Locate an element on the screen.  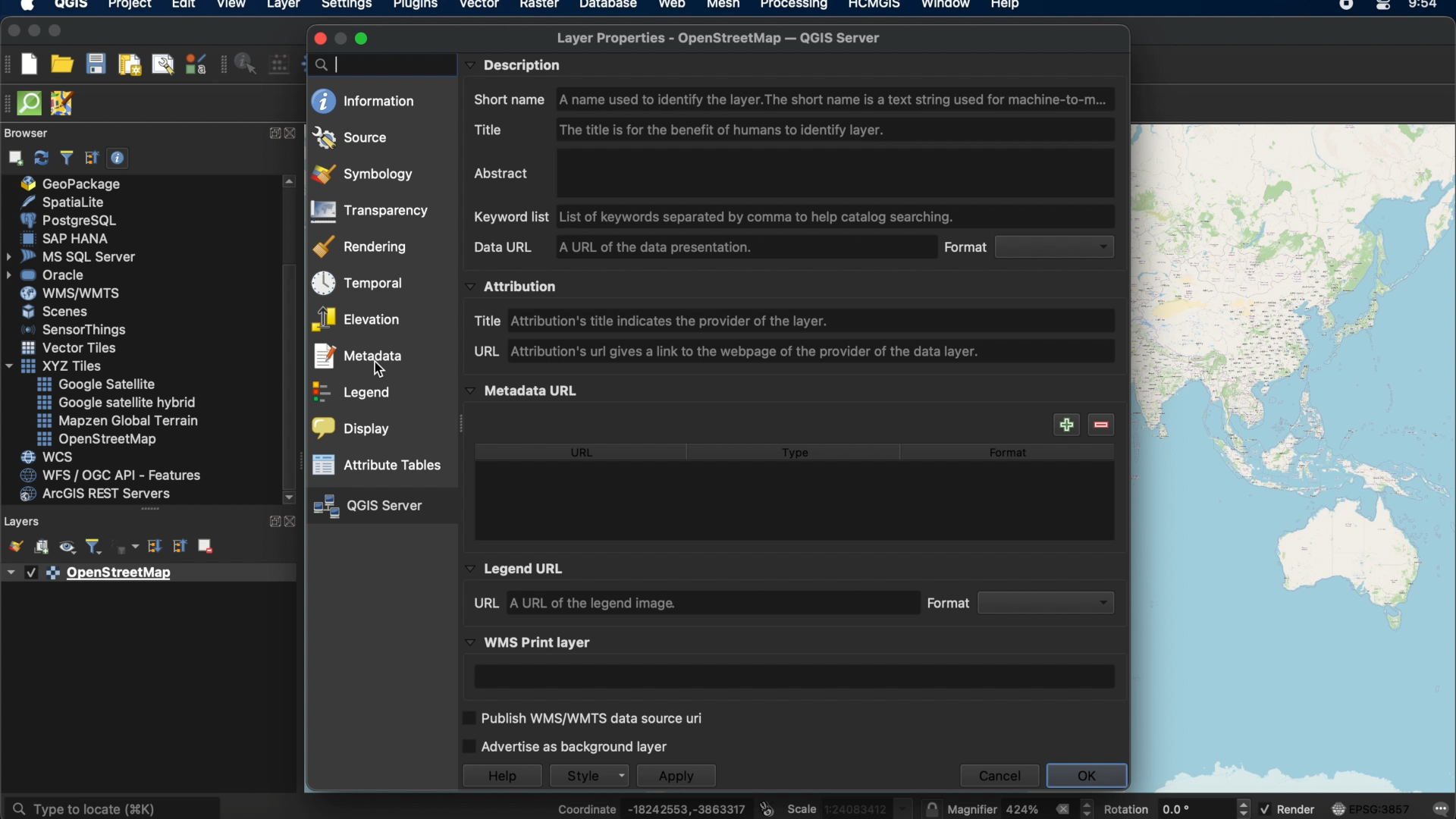
raster is located at coordinates (538, 6).